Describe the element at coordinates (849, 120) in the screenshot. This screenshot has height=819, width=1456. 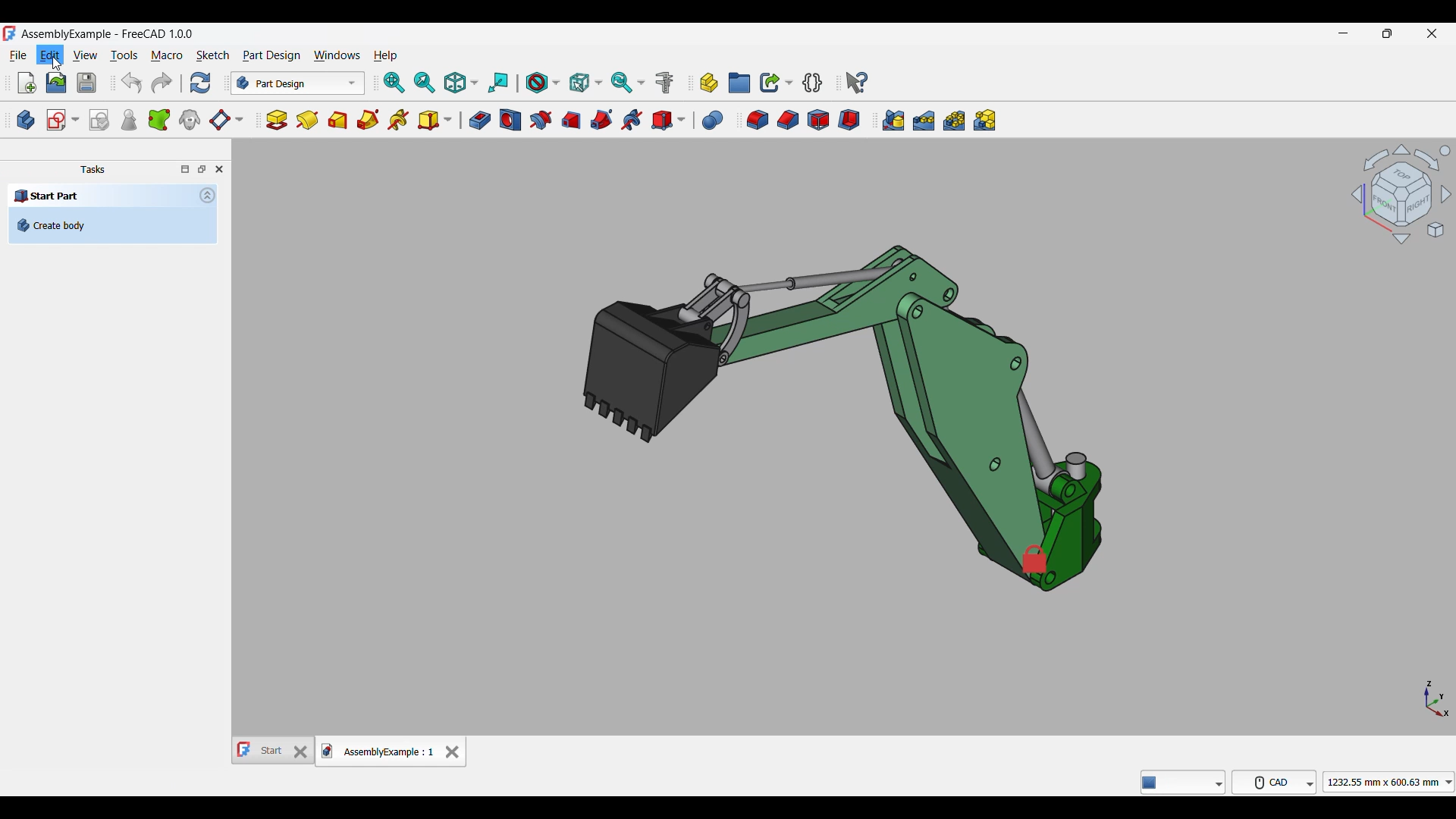
I see `Thickness` at that location.